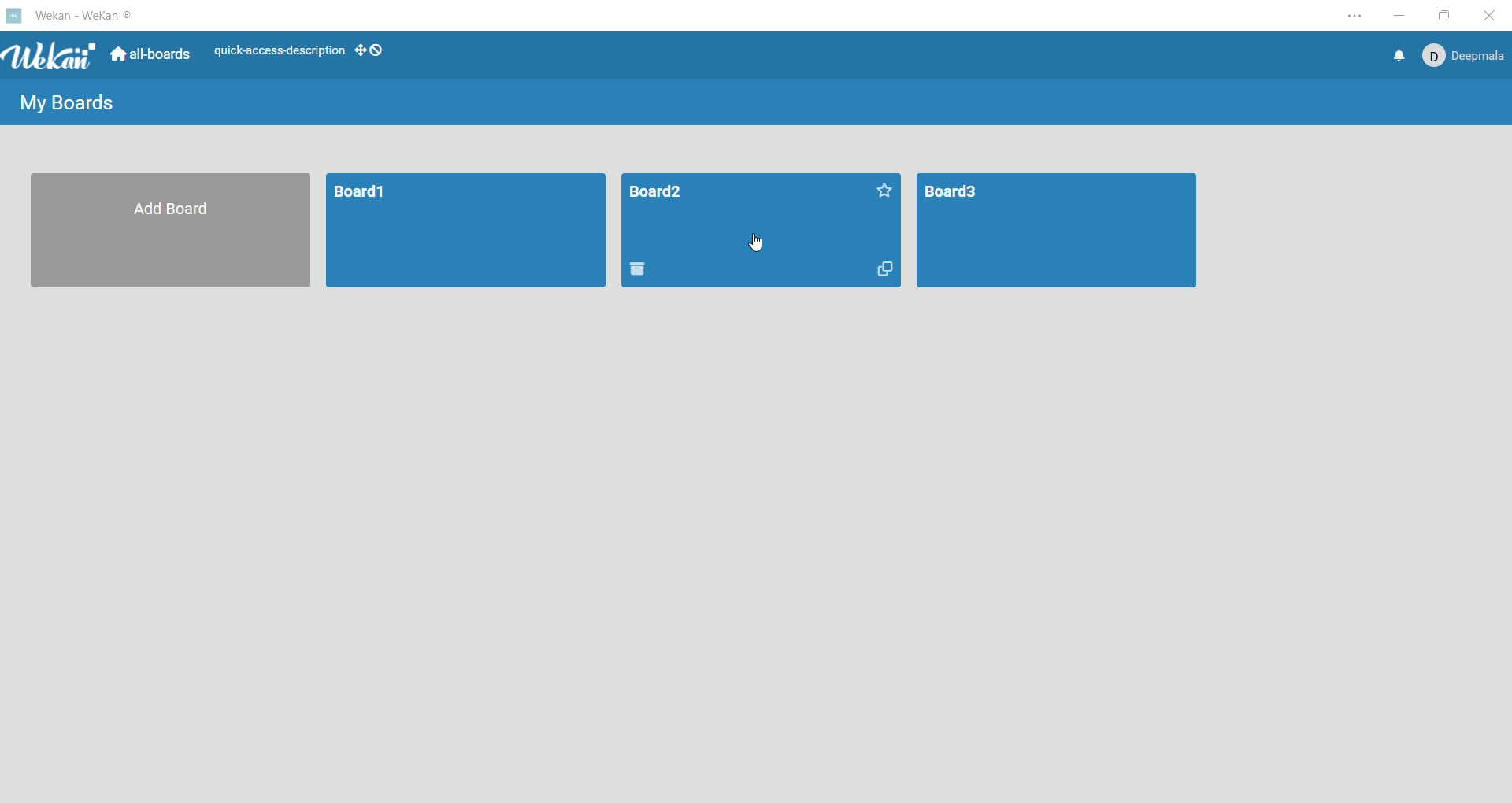 This screenshot has width=1512, height=803. Describe the element at coordinates (639, 271) in the screenshot. I see `delete` at that location.